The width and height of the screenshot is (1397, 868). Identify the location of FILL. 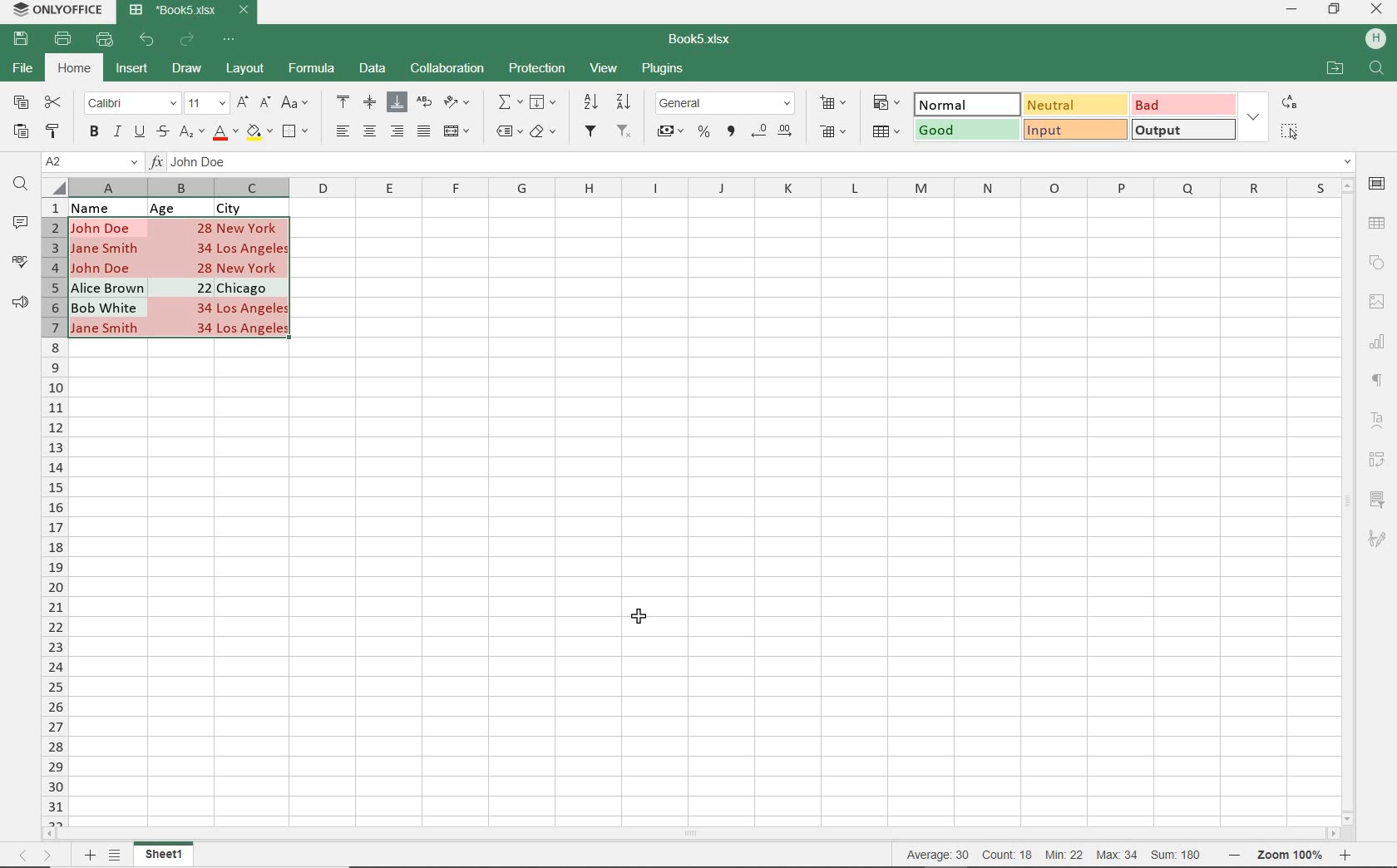
(547, 103).